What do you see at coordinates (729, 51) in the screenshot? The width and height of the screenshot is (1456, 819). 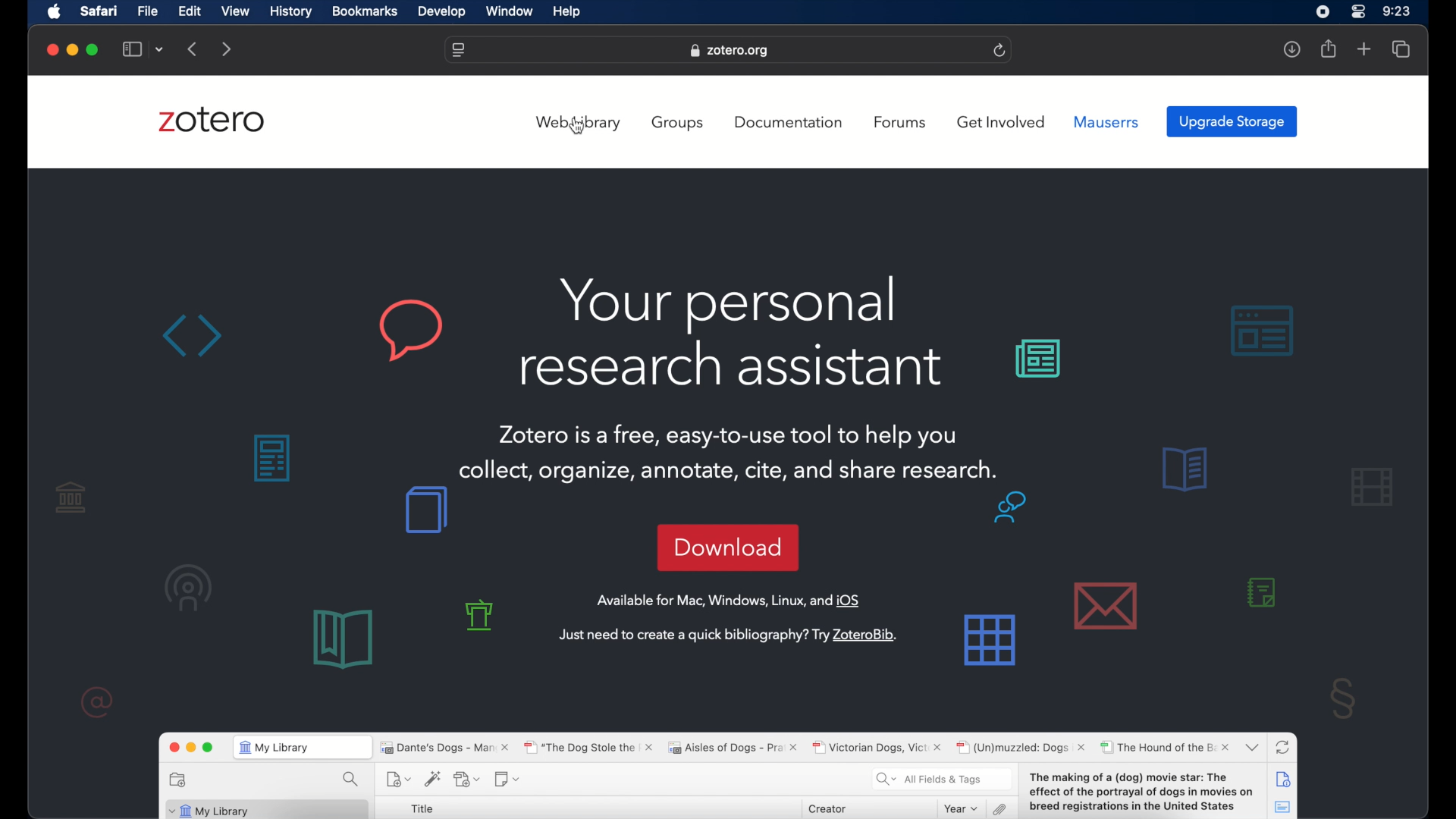 I see `website address` at bounding box center [729, 51].